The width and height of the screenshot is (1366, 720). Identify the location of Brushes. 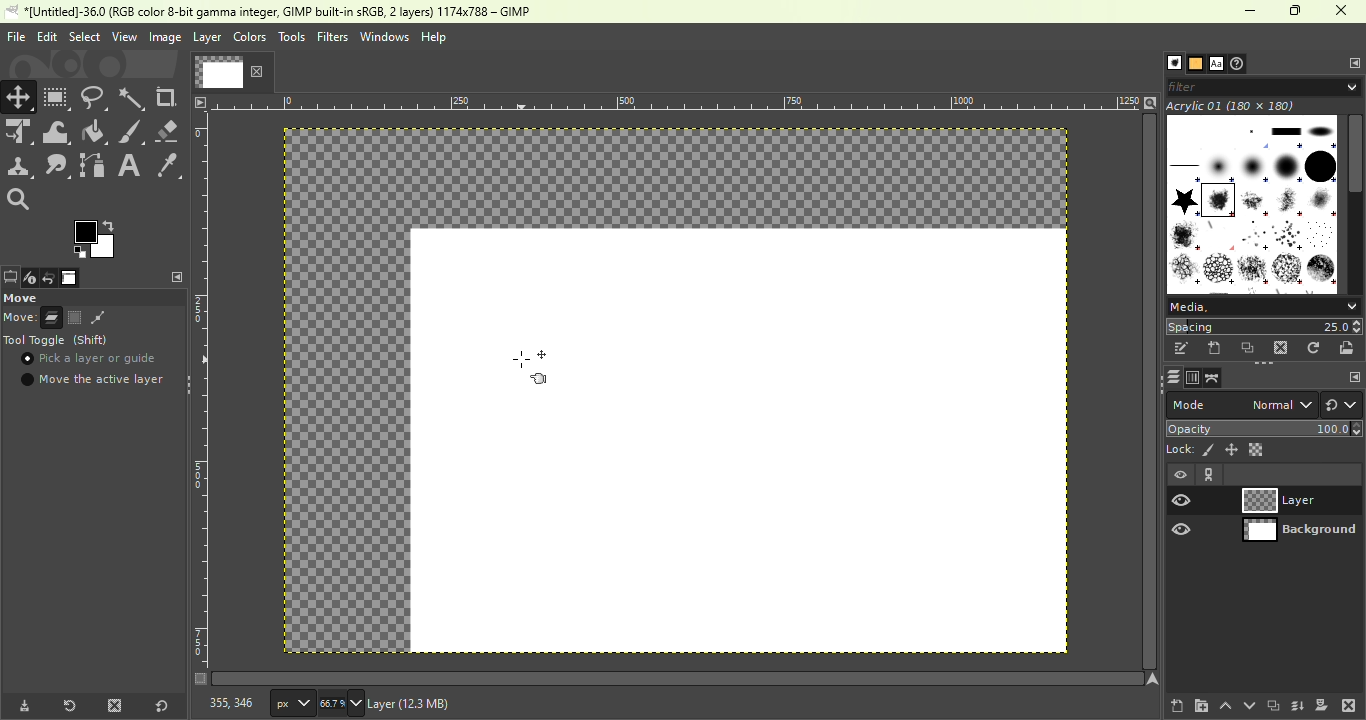
(1169, 63).